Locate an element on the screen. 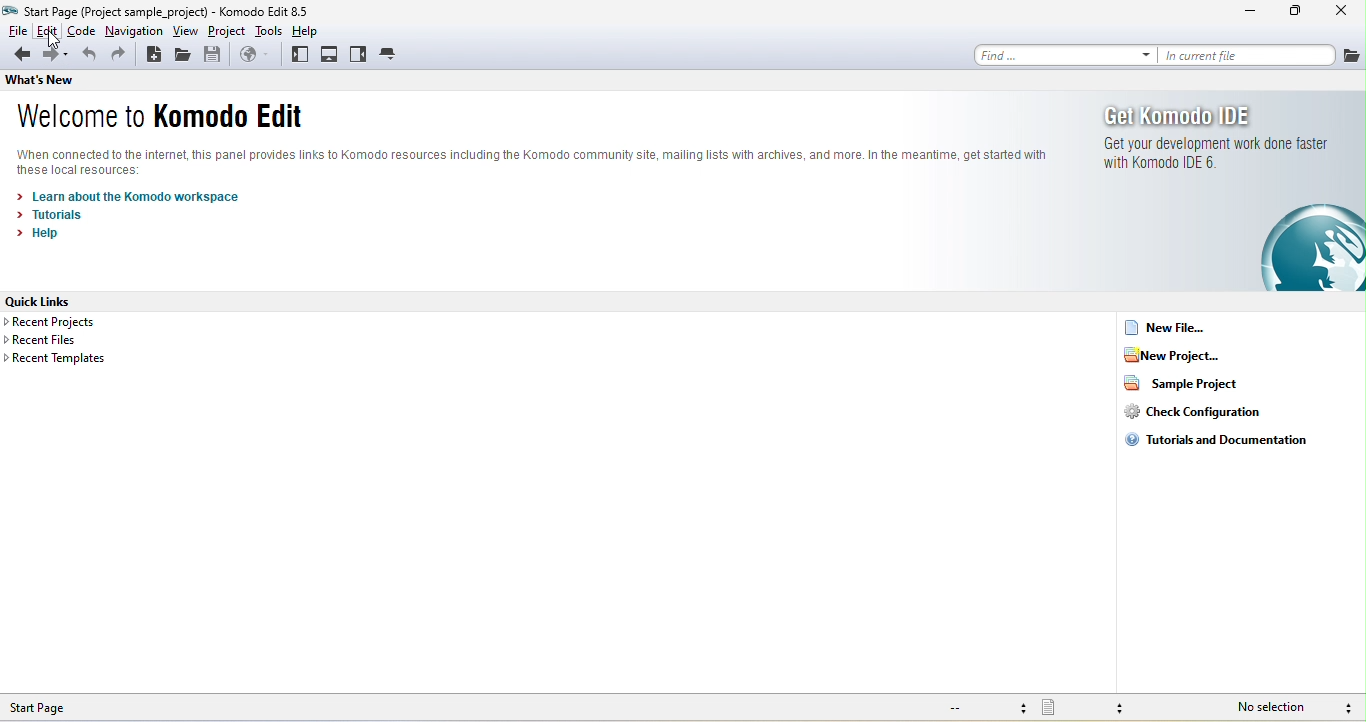 This screenshot has width=1366, height=722. find is located at coordinates (1068, 56).